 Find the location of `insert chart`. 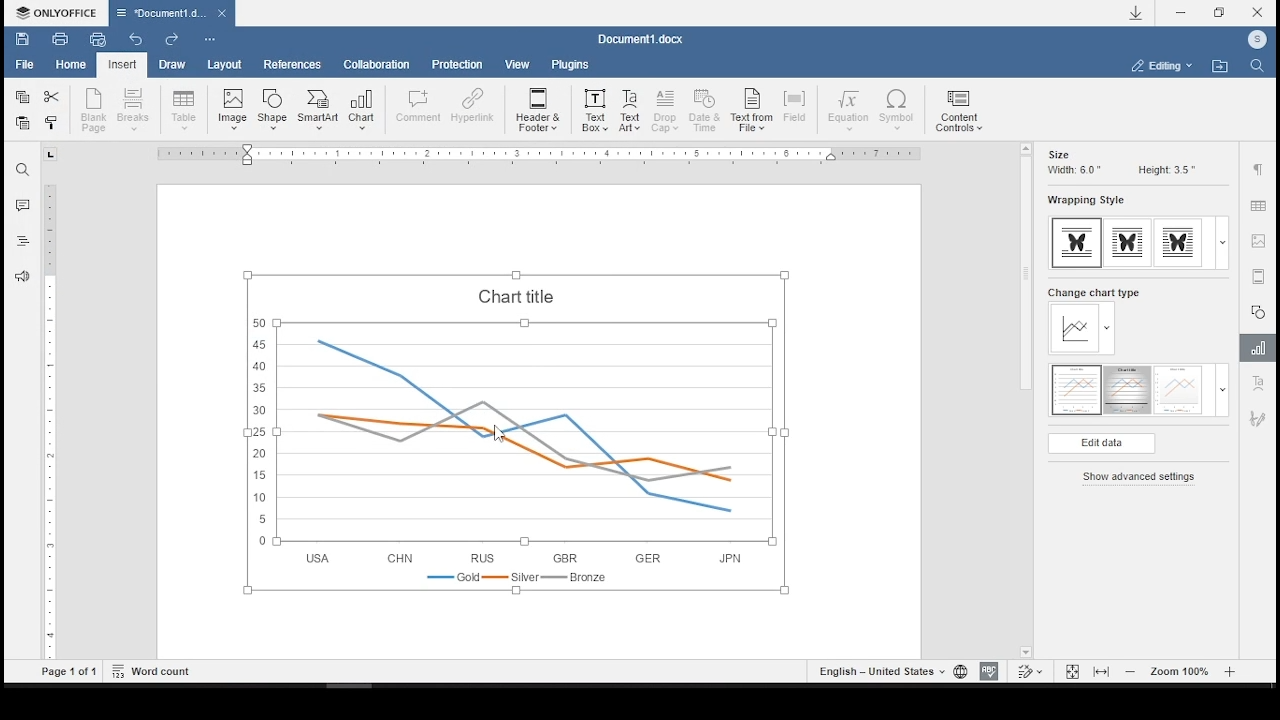

insert chart is located at coordinates (364, 110).